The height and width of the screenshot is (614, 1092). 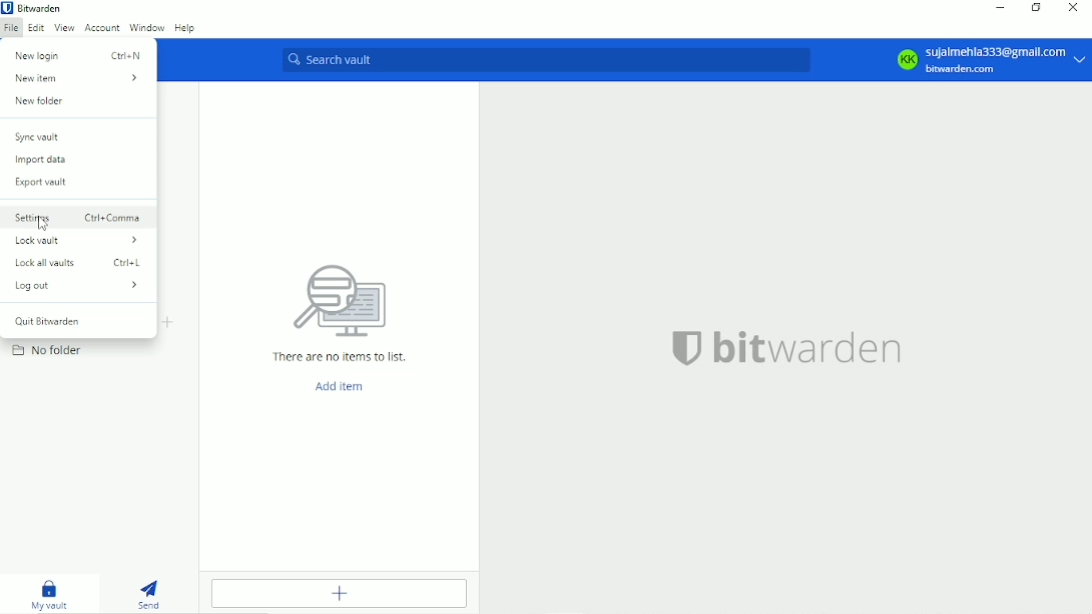 What do you see at coordinates (1001, 8) in the screenshot?
I see `Minimize` at bounding box center [1001, 8].